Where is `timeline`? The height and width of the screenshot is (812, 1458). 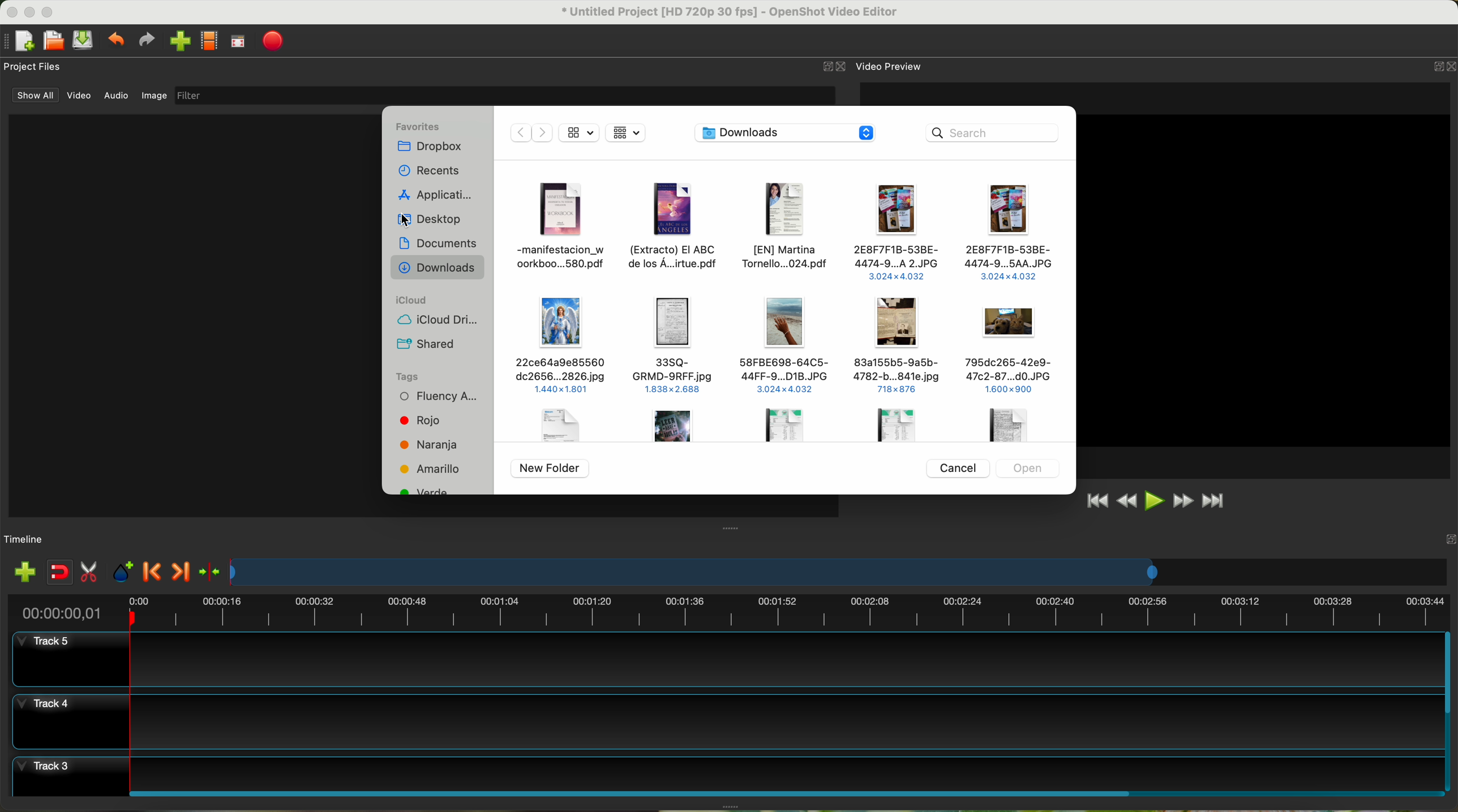
timeline is located at coordinates (840, 572).